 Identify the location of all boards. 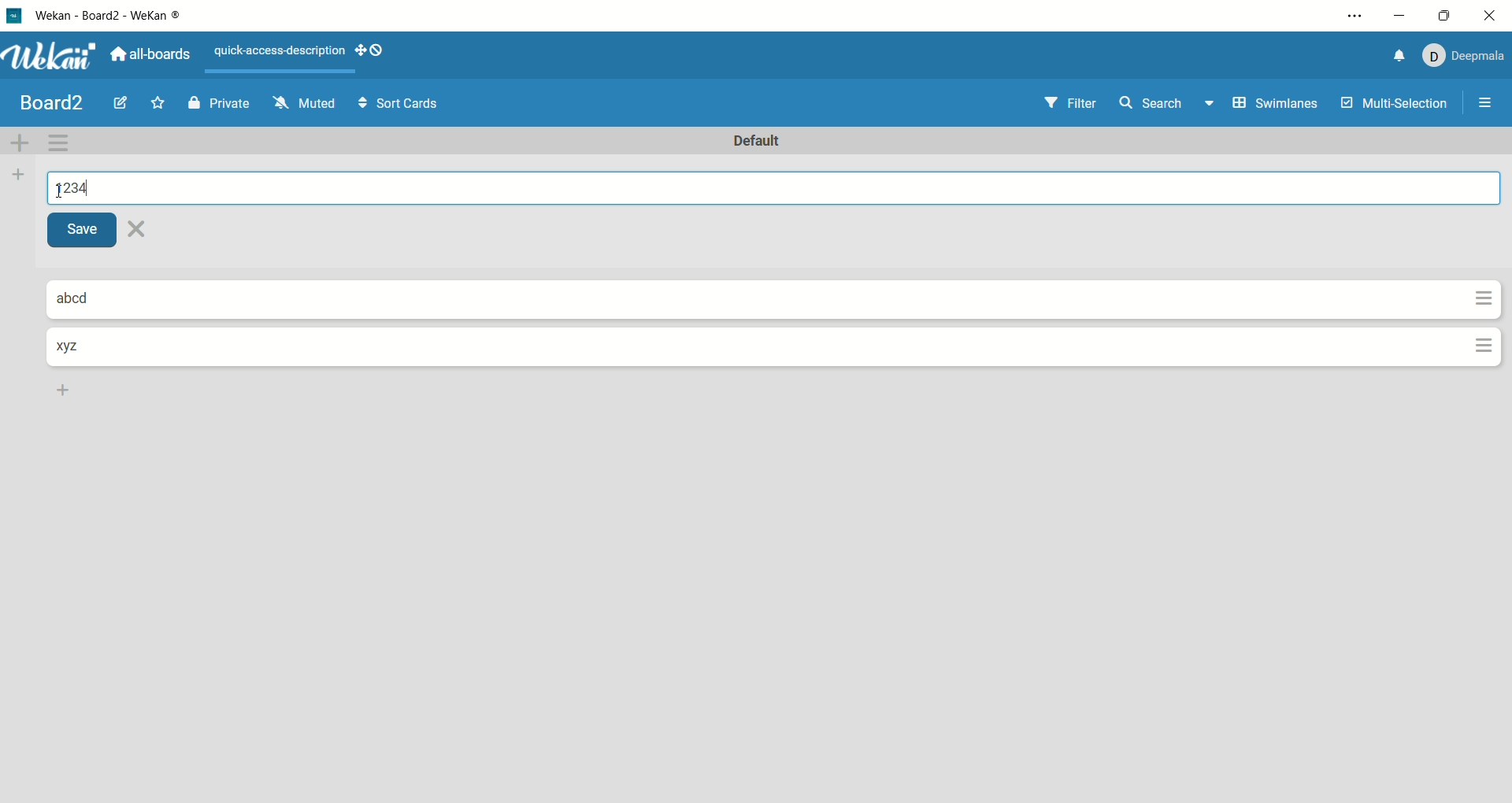
(152, 52).